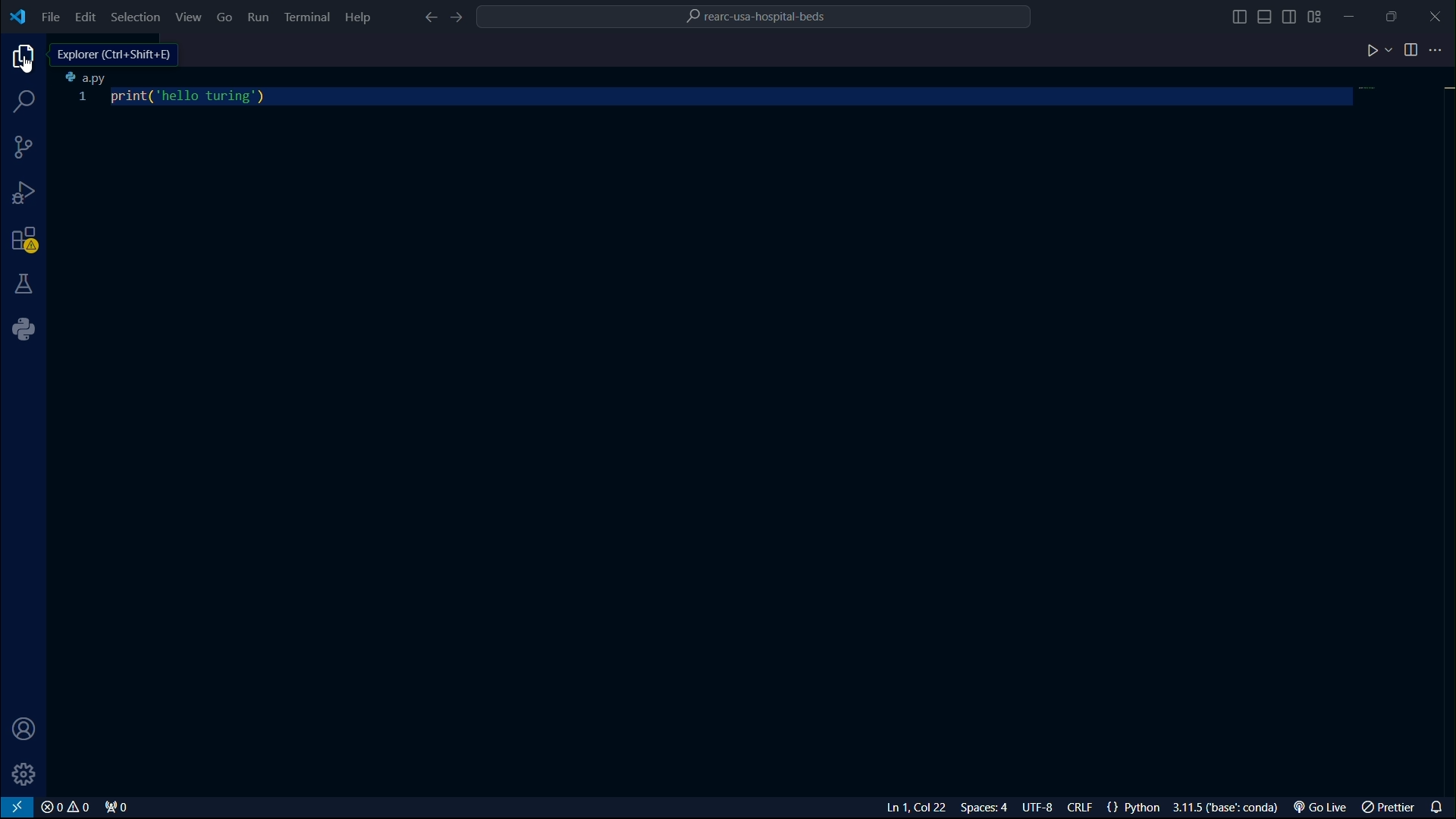 The image size is (1456, 819). Describe the element at coordinates (115, 55) in the screenshot. I see `Explorer (Ctrl+Shift+E)` at that location.